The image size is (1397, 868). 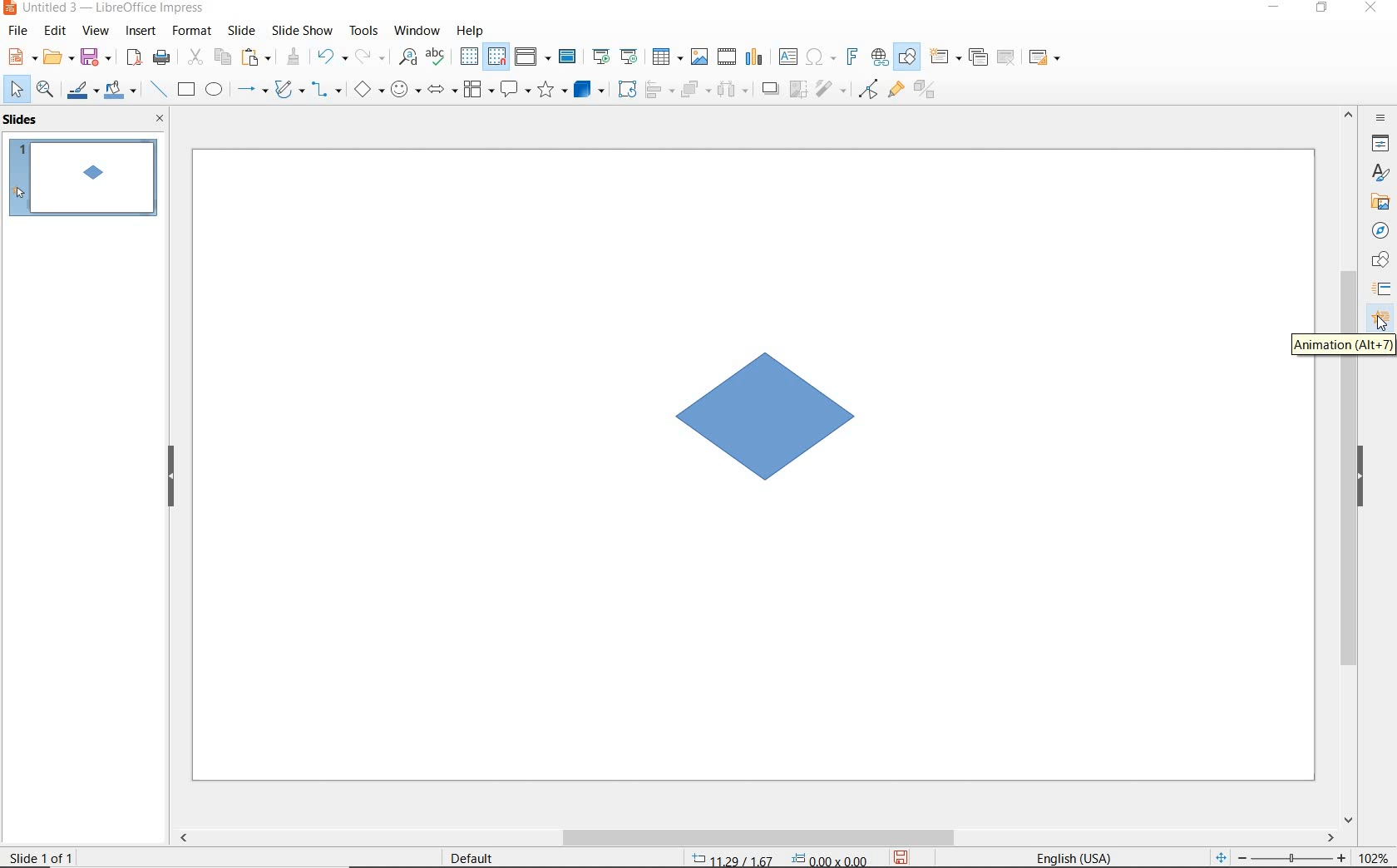 I want to click on start from current slide, so click(x=631, y=57).